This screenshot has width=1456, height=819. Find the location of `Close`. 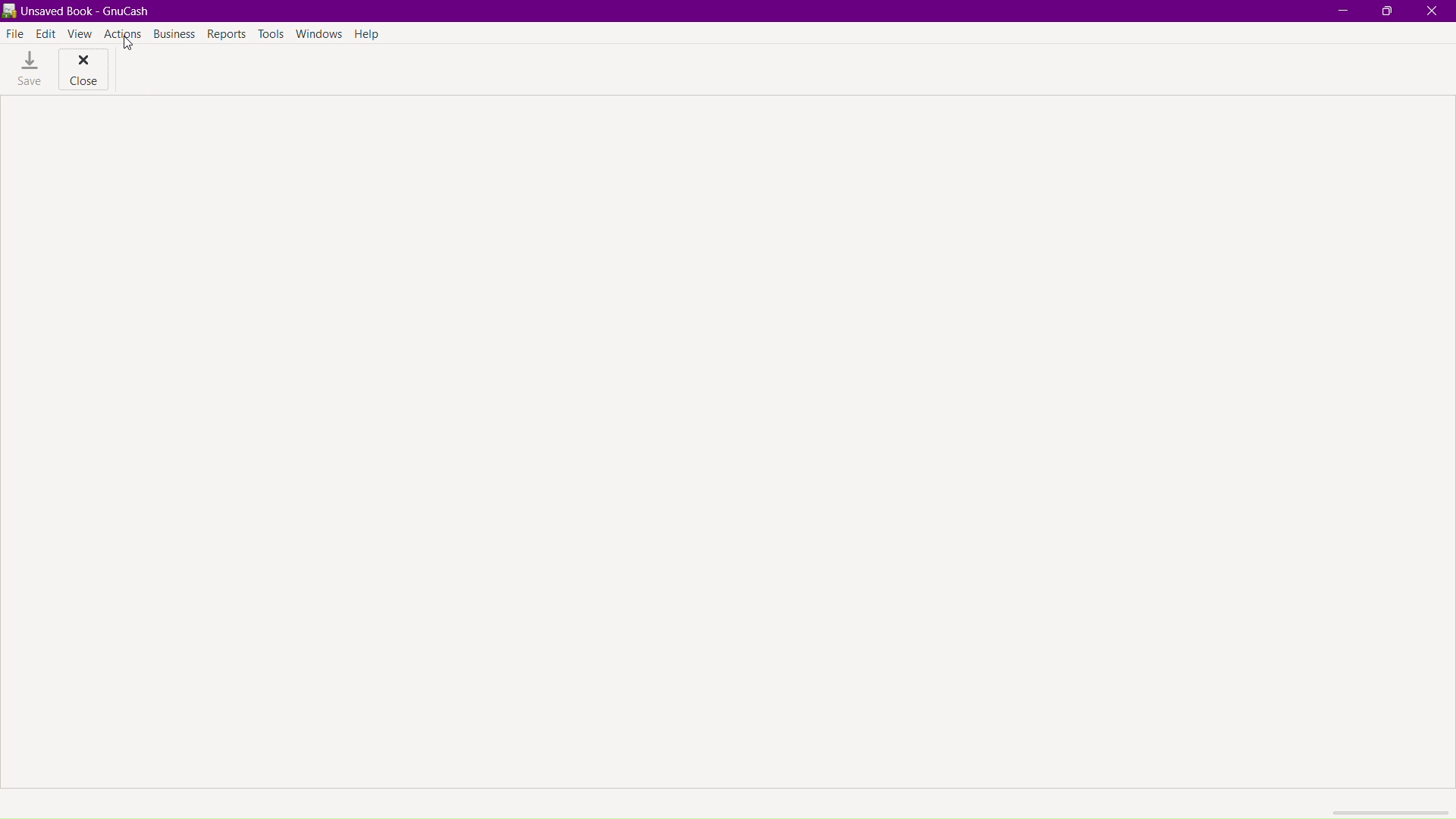

Close is located at coordinates (1433, 10).